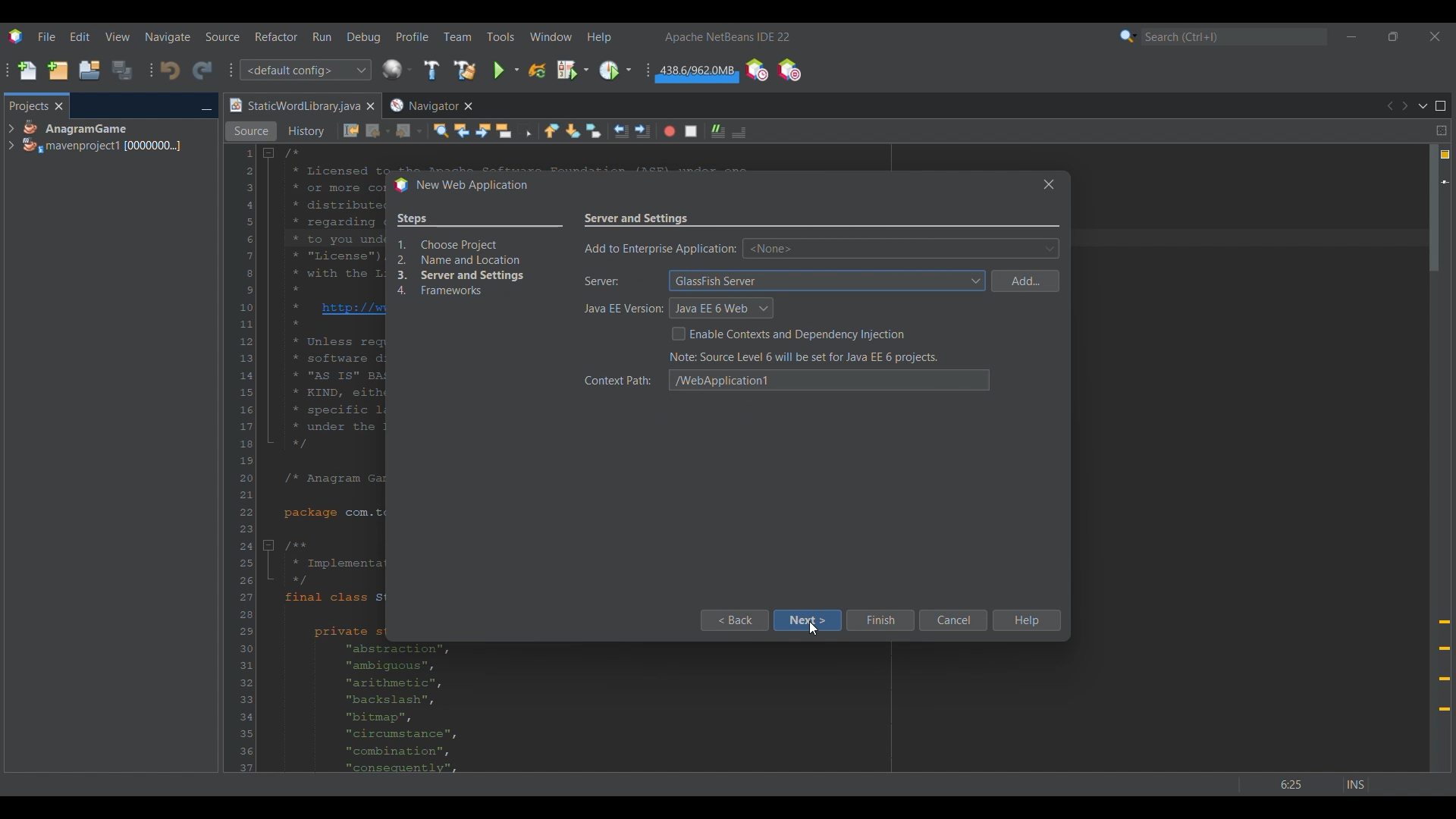 This screenshot has height=819, width=1456. Describe the element at coordinates (118, 36) in the screenshot. I see `View menu` at that location.